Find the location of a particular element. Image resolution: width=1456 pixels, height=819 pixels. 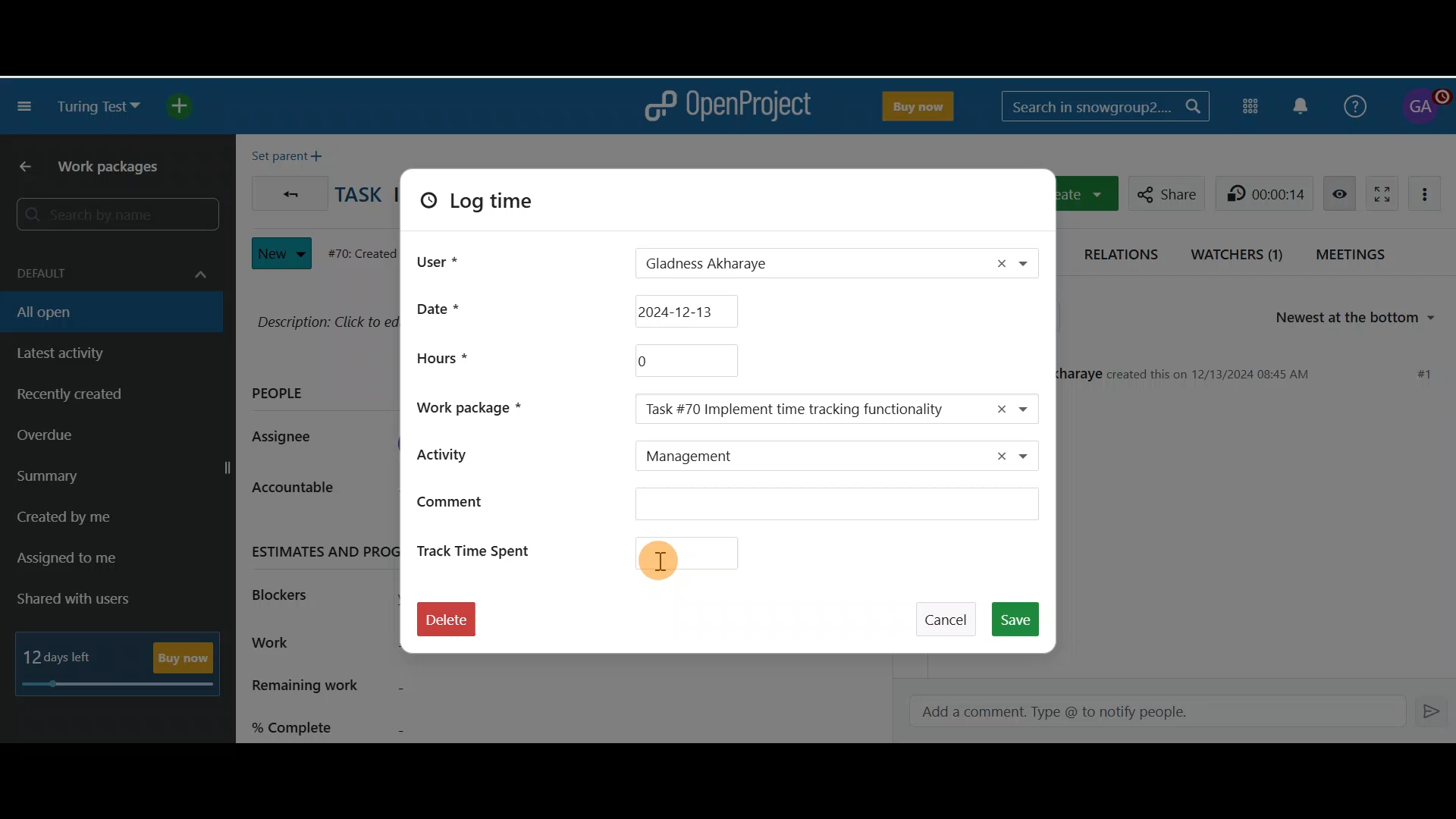

Log time is located at coordinates (499, 206).